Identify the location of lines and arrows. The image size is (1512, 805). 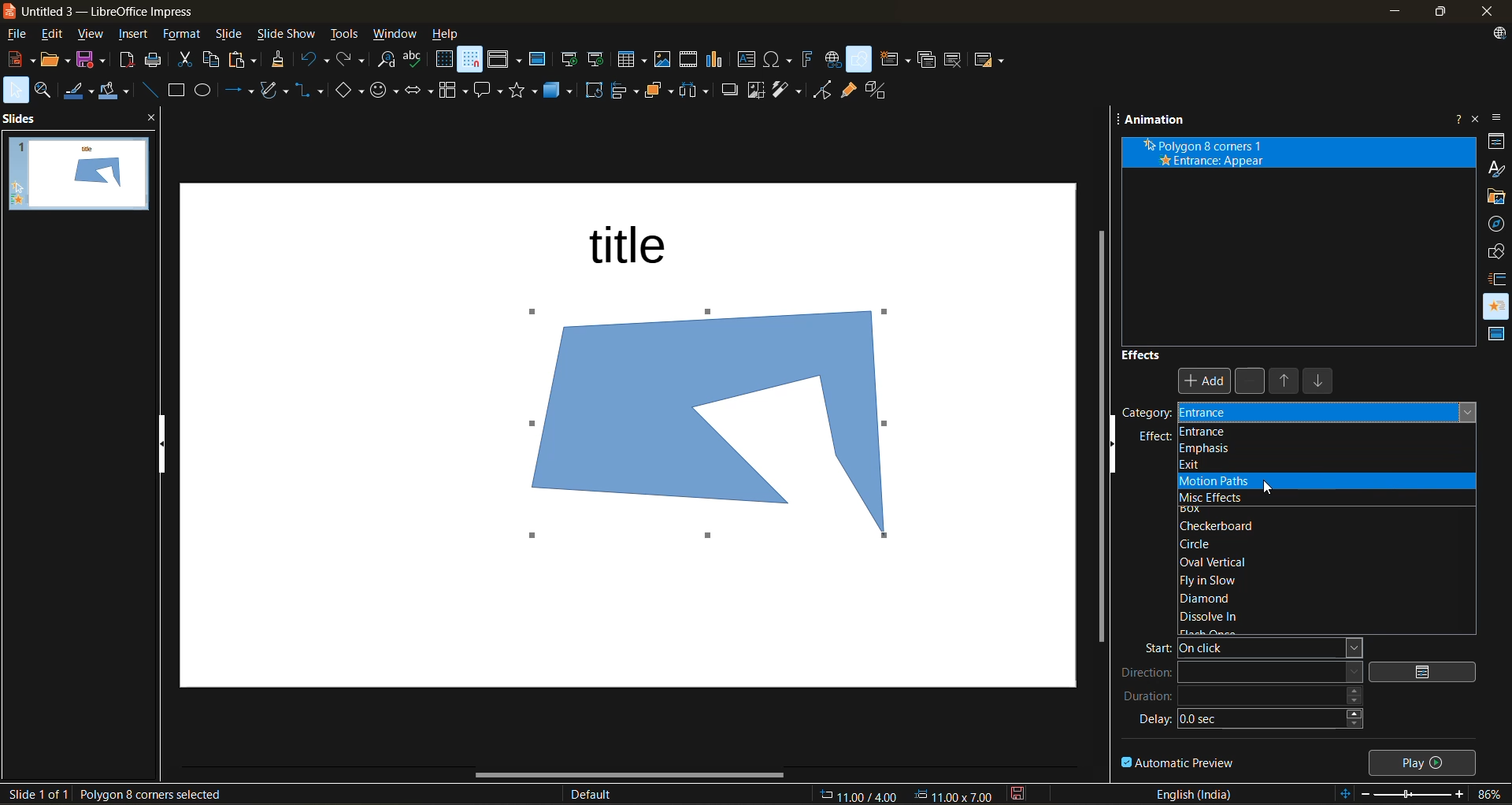
(236, 91).